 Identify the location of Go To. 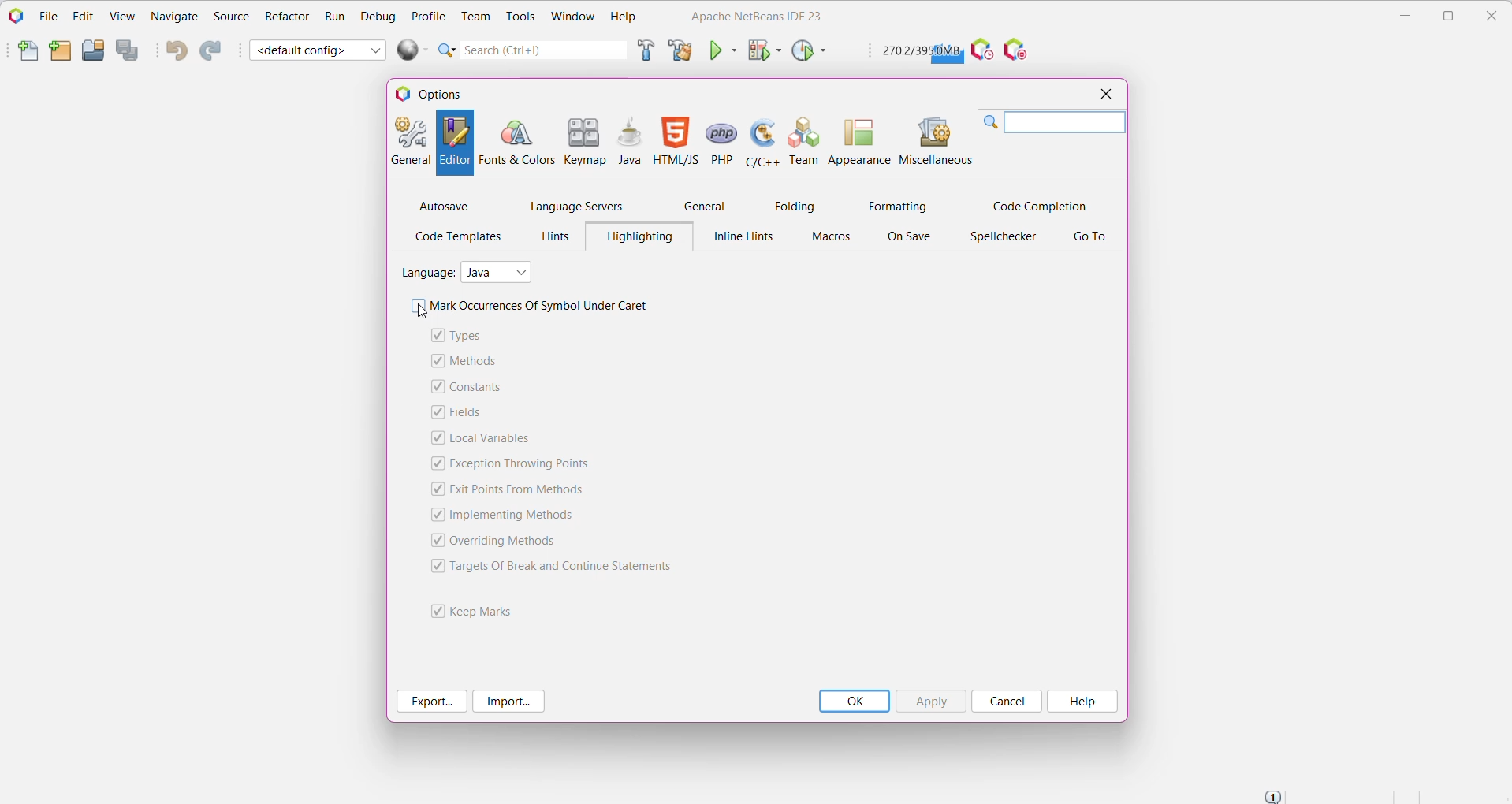
(1089, 238).